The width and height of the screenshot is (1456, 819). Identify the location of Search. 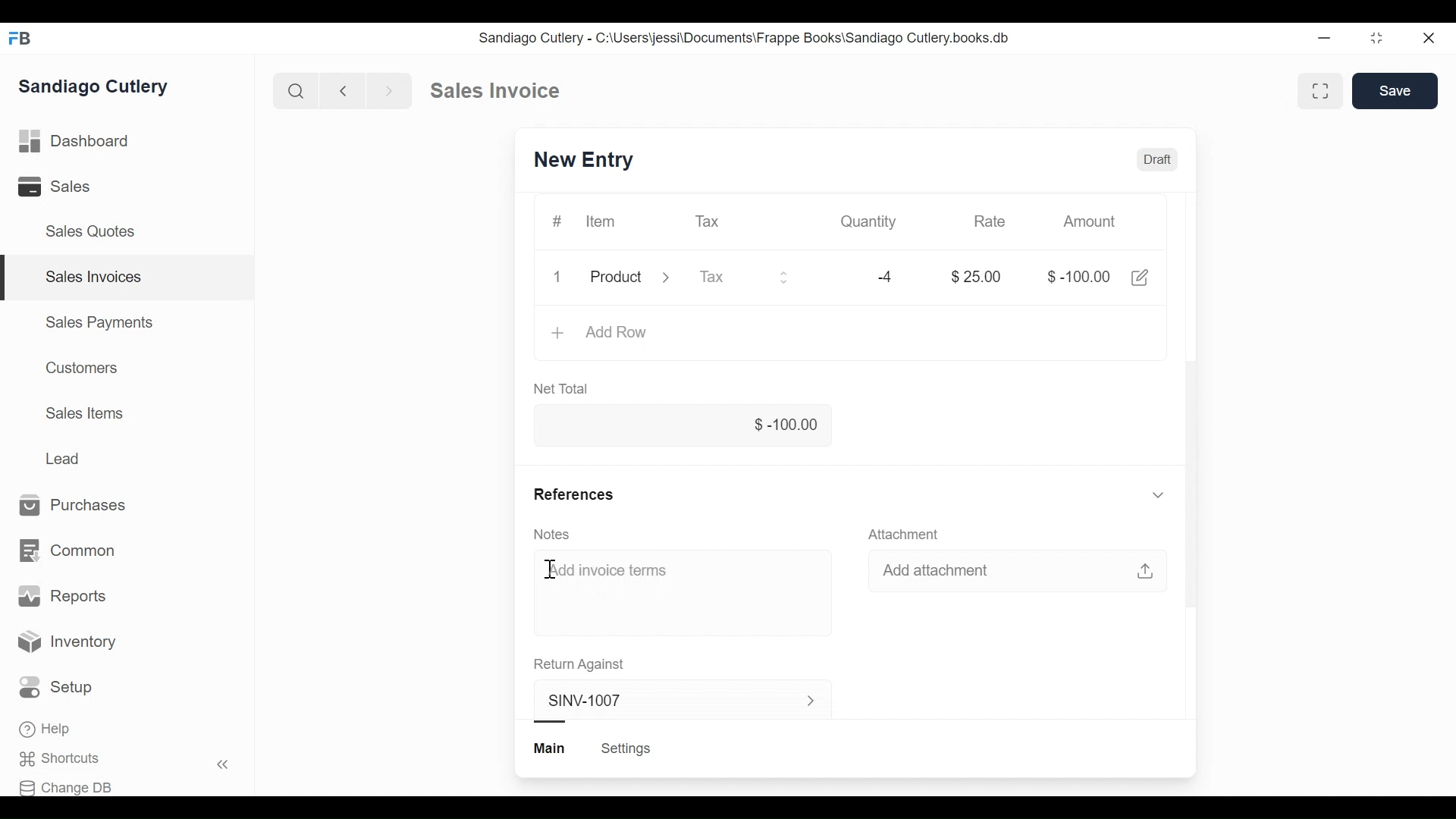
(296, 89).